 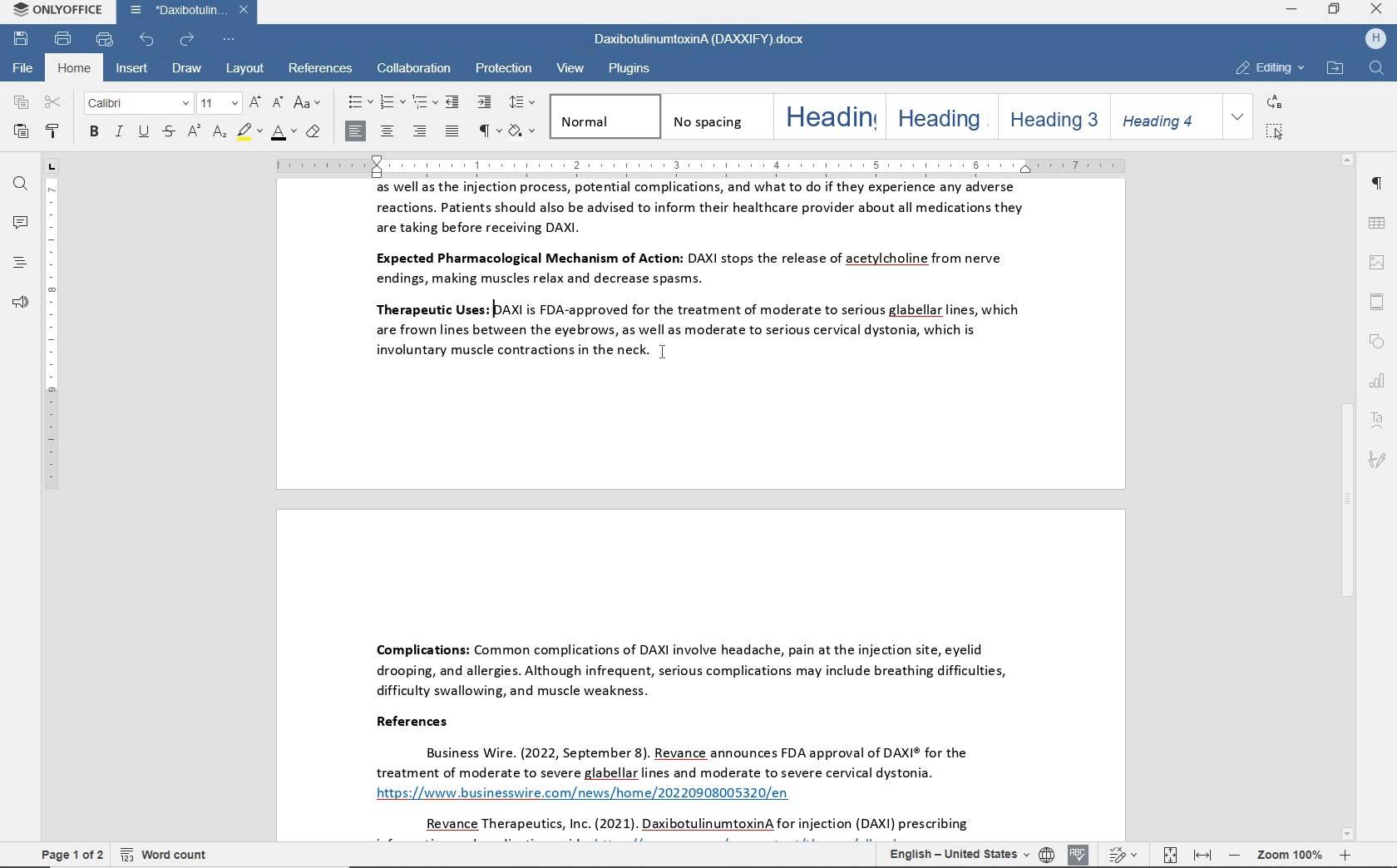 I want to click on strikethrough, so click(x=167, y=133).